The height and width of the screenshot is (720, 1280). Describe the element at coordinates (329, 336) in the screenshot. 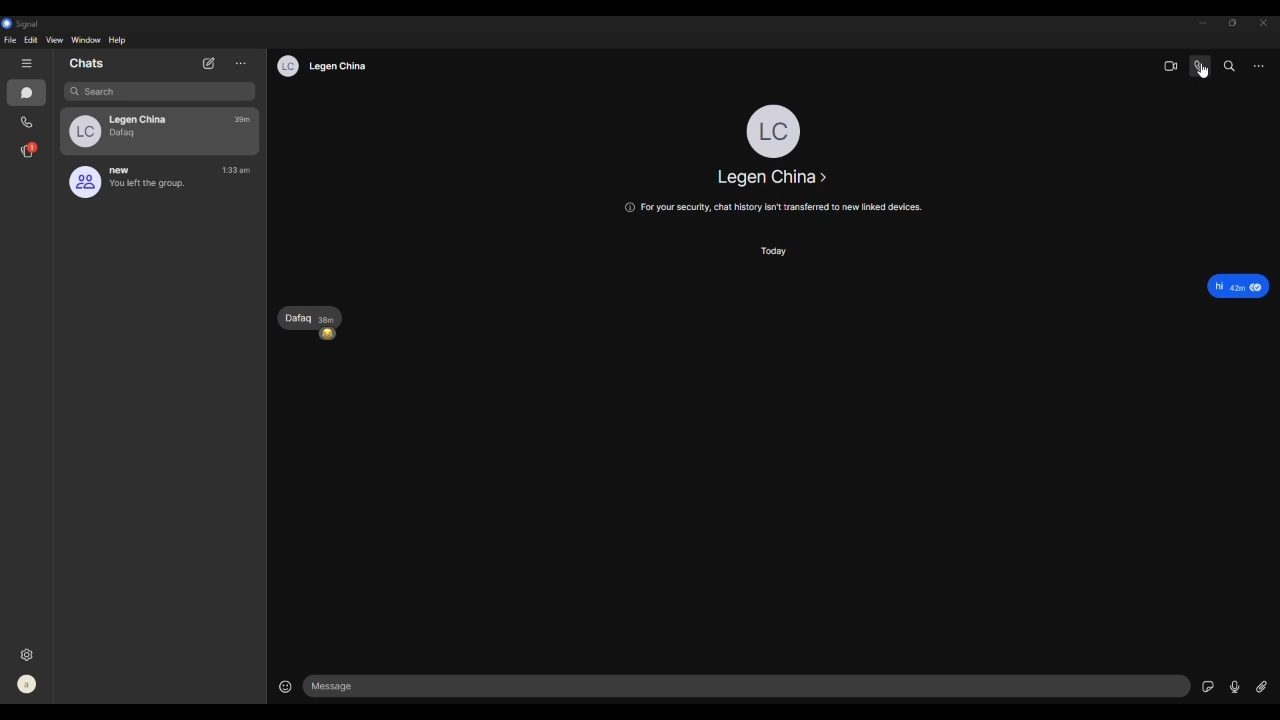

I see `emoji` at that location.